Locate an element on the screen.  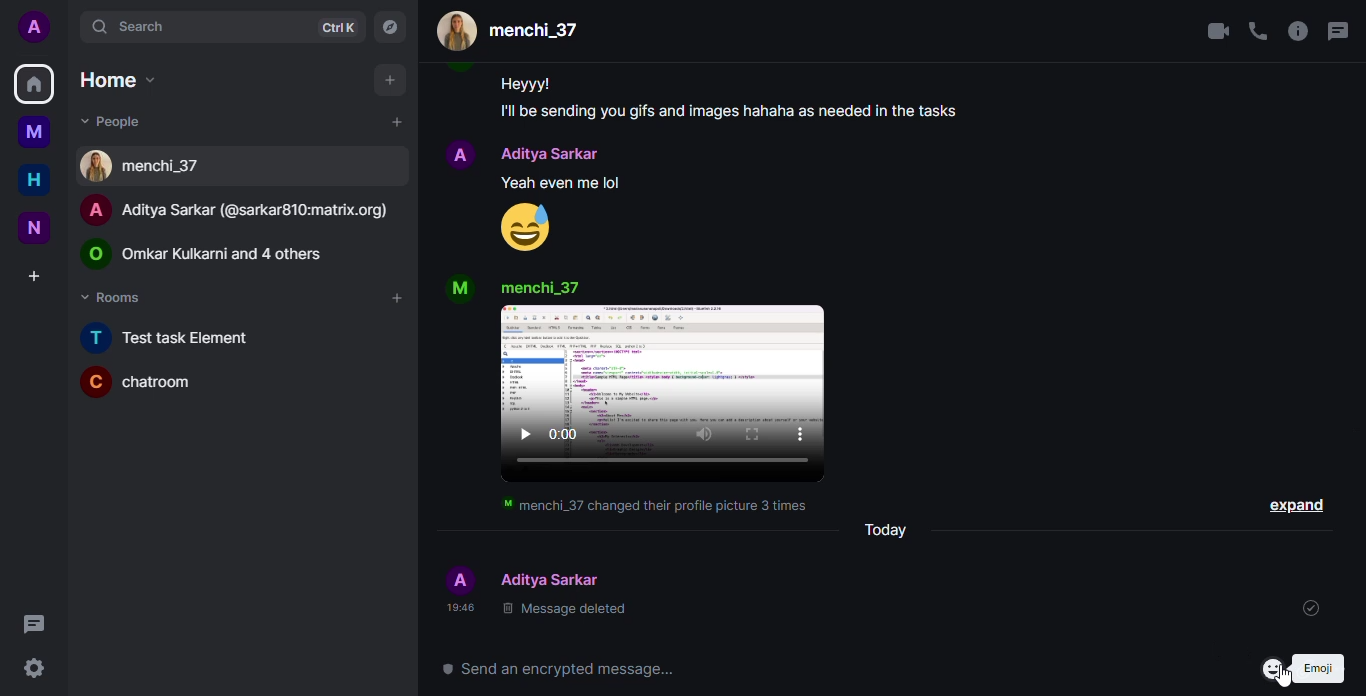
chatroom is located at coordinates (142, 382).